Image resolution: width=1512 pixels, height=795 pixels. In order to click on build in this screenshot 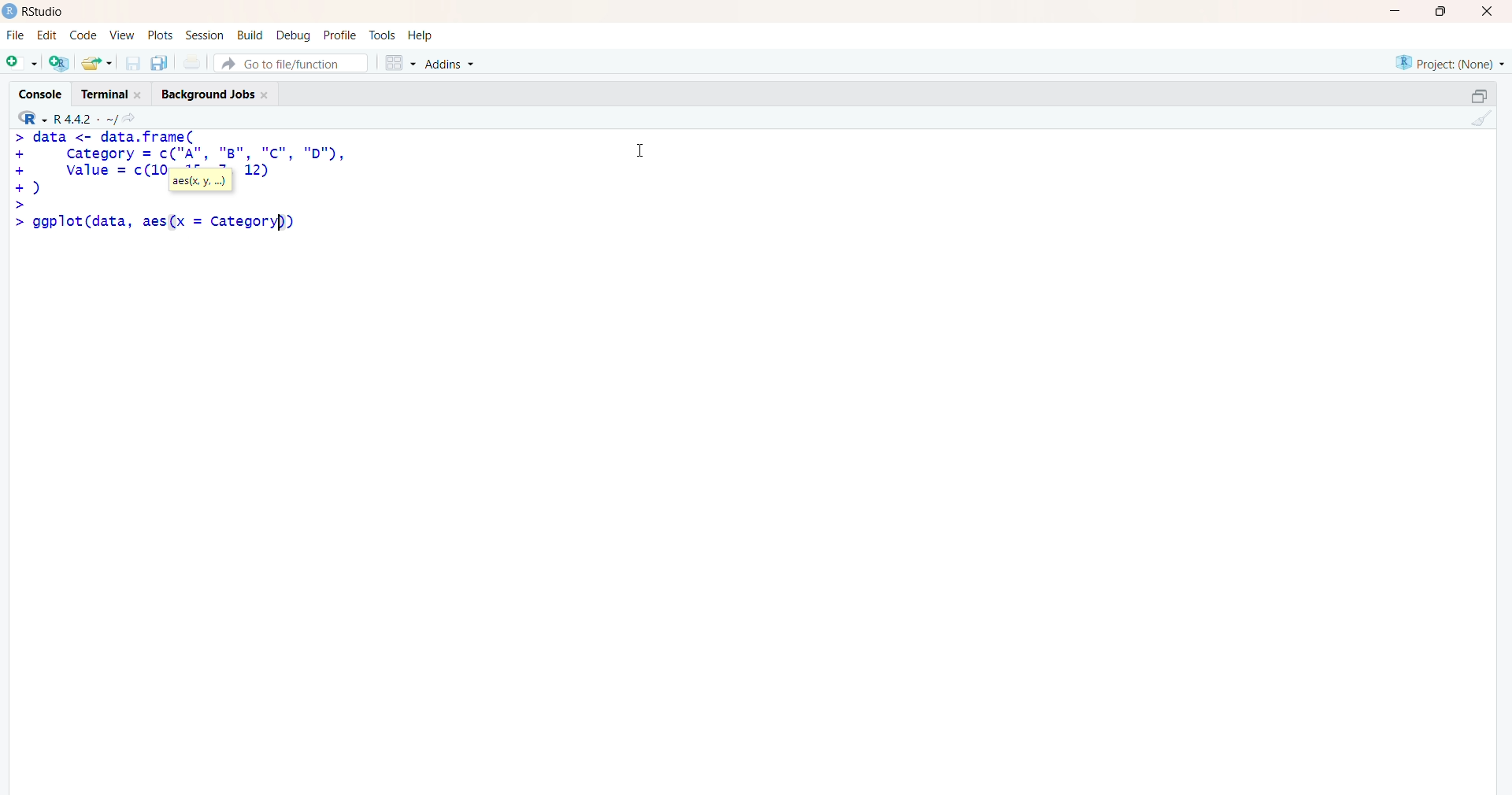, I will do `click(249, 35)`.